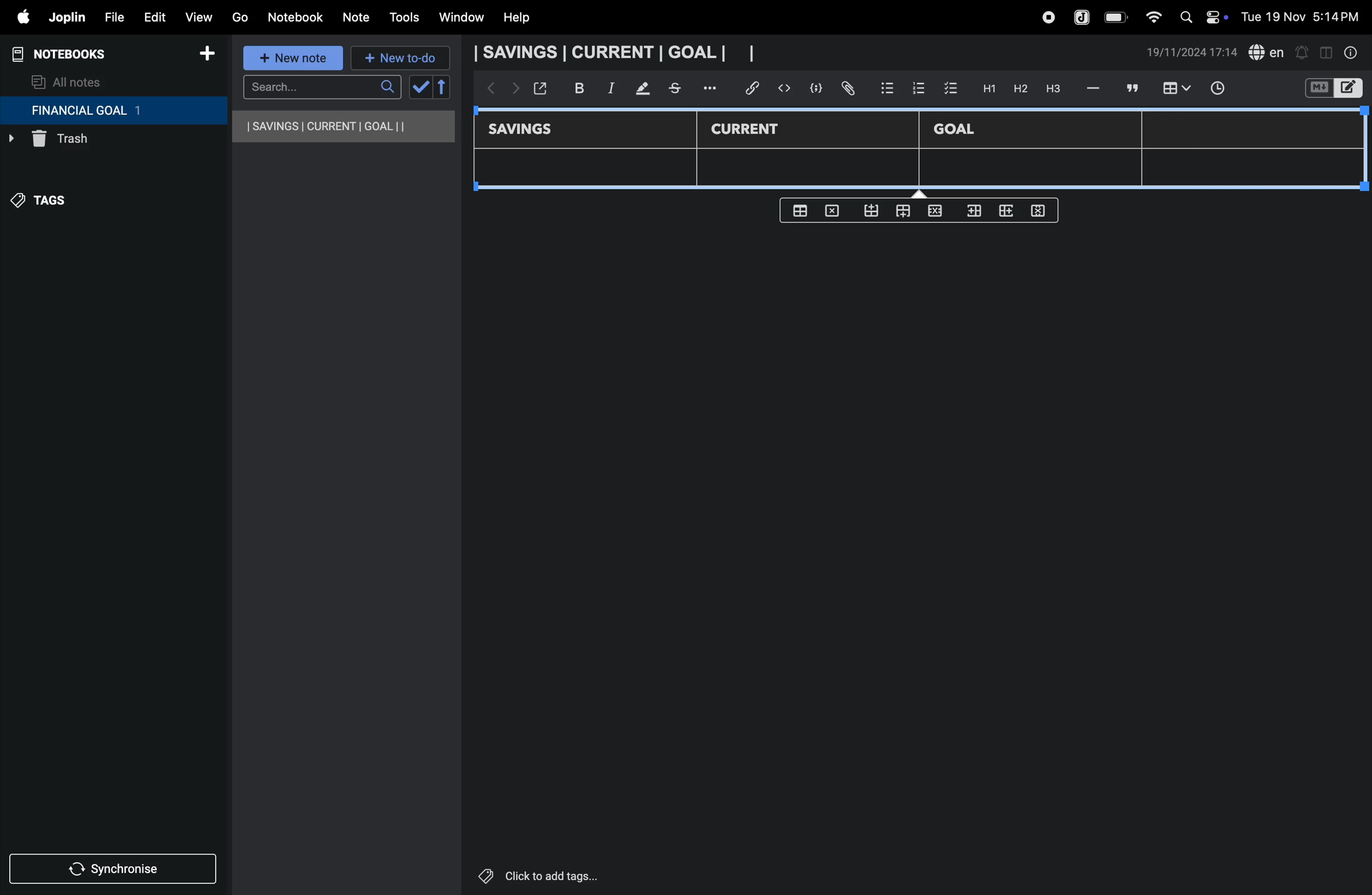 The image size is (1372, 895). I want to click on info, so click(1352, 52).